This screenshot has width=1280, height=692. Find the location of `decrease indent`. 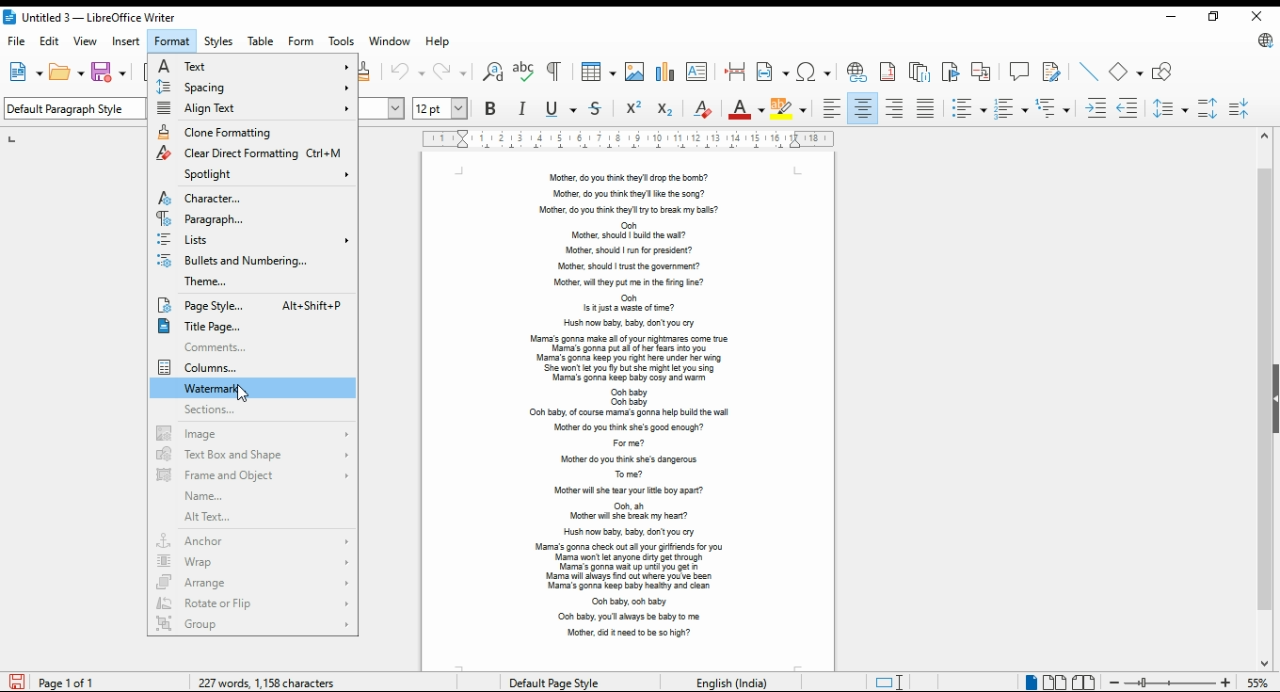

decrease indent is located at coordinates (1128, 108).